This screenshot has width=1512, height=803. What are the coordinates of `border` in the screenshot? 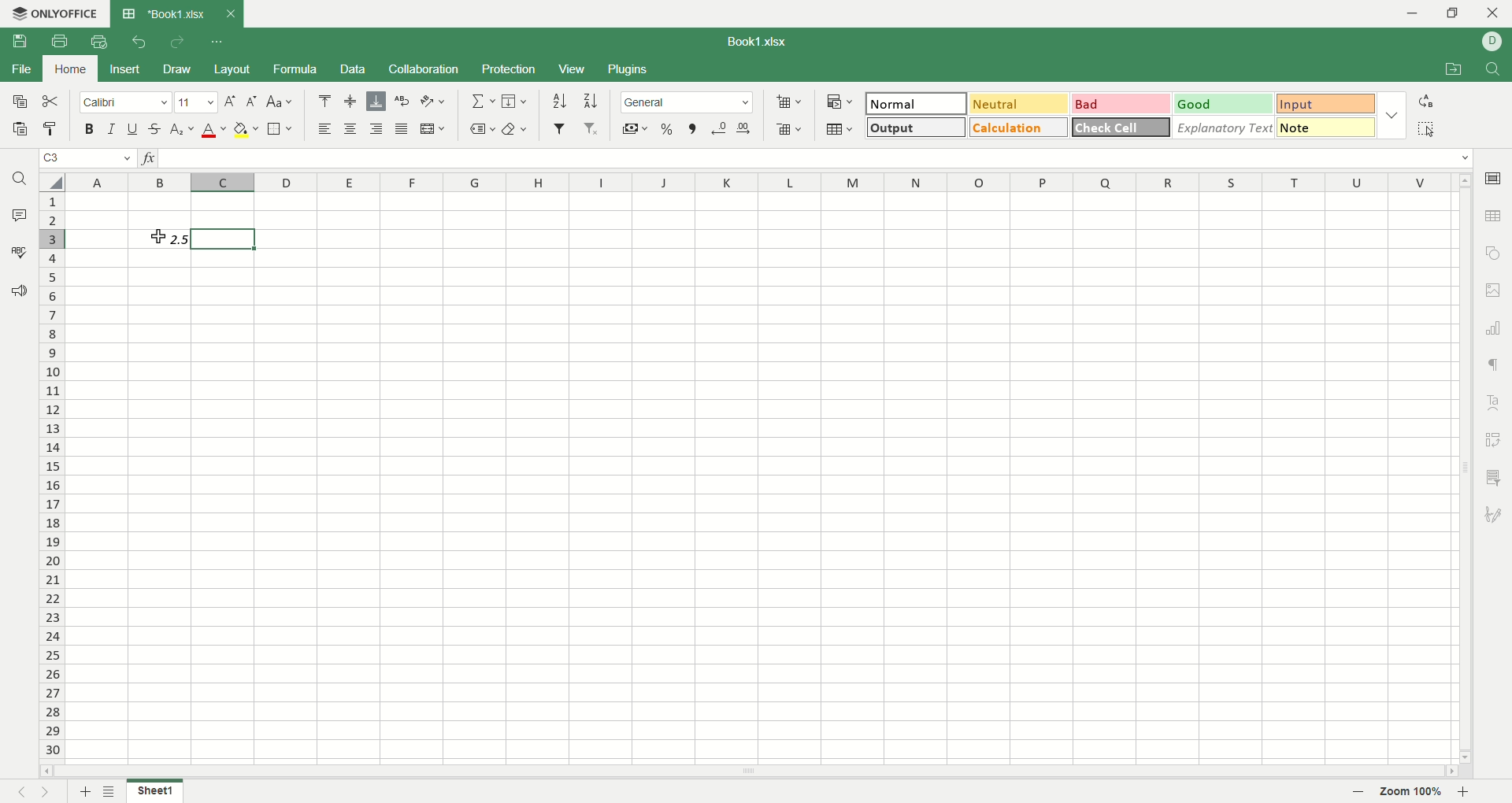 It's located at (282, 129).